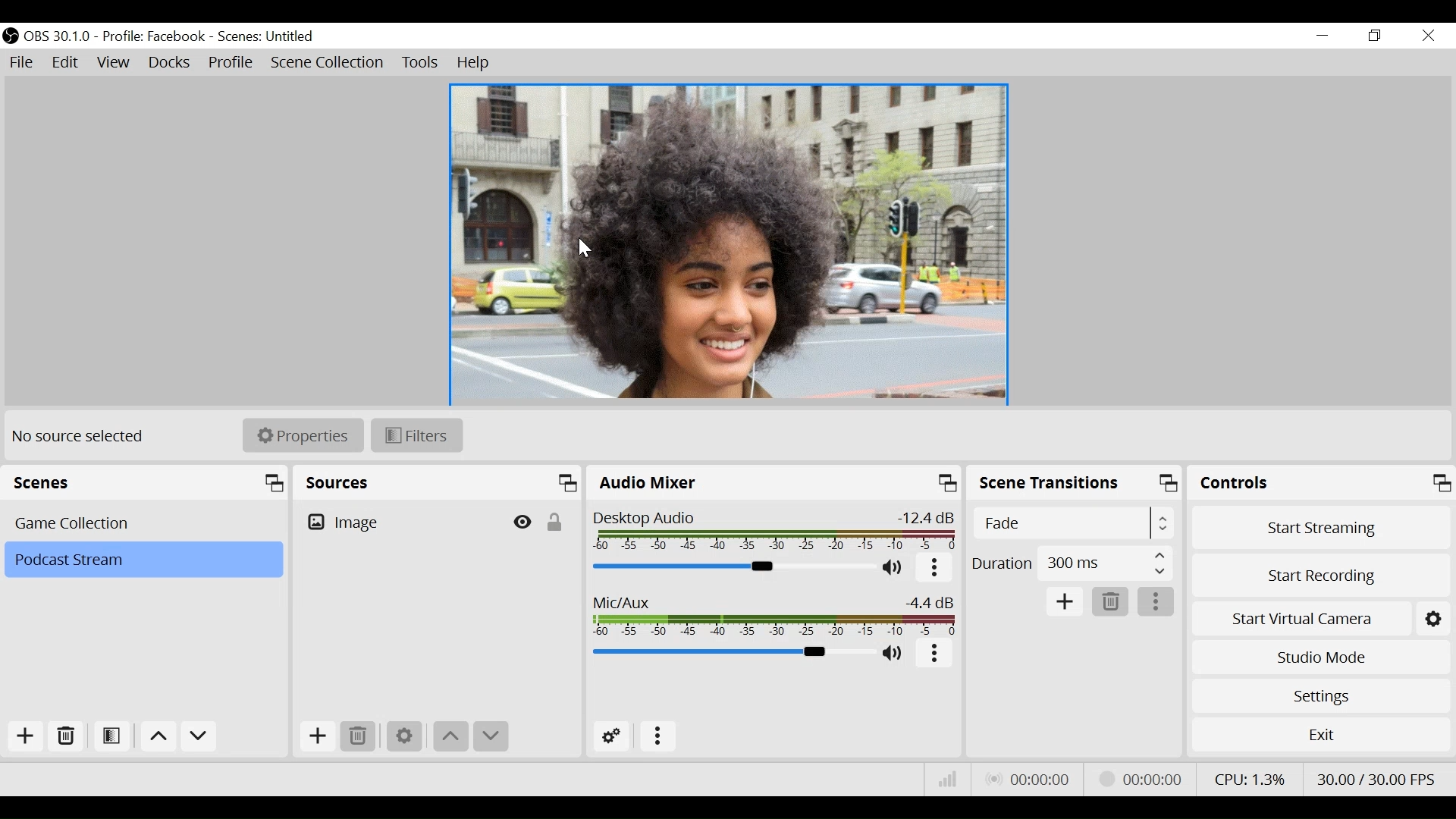 Image resolution: width=1456 pixels, height=819 pixels. Describe the element at coordinates (397, 523) in the screenshot. I see `Image` at that location.